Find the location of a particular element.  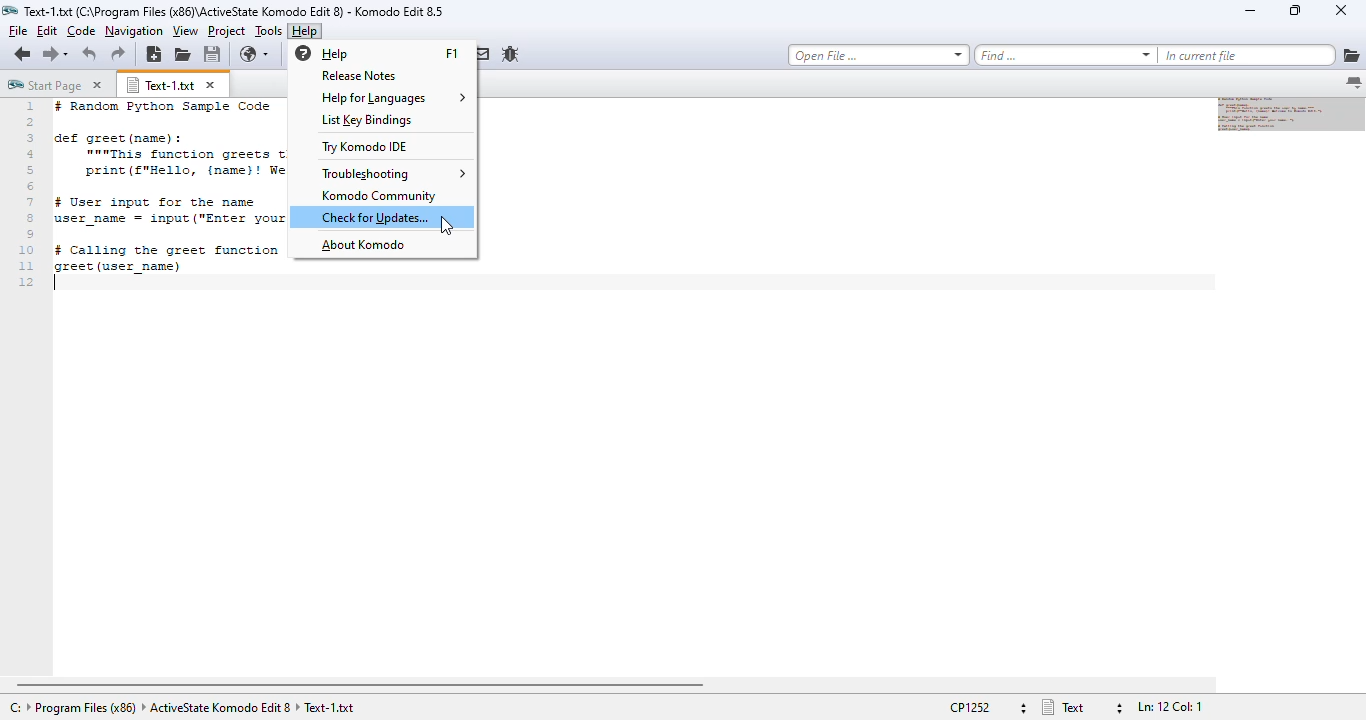

list key bindings is located at coordinates (368, 120).